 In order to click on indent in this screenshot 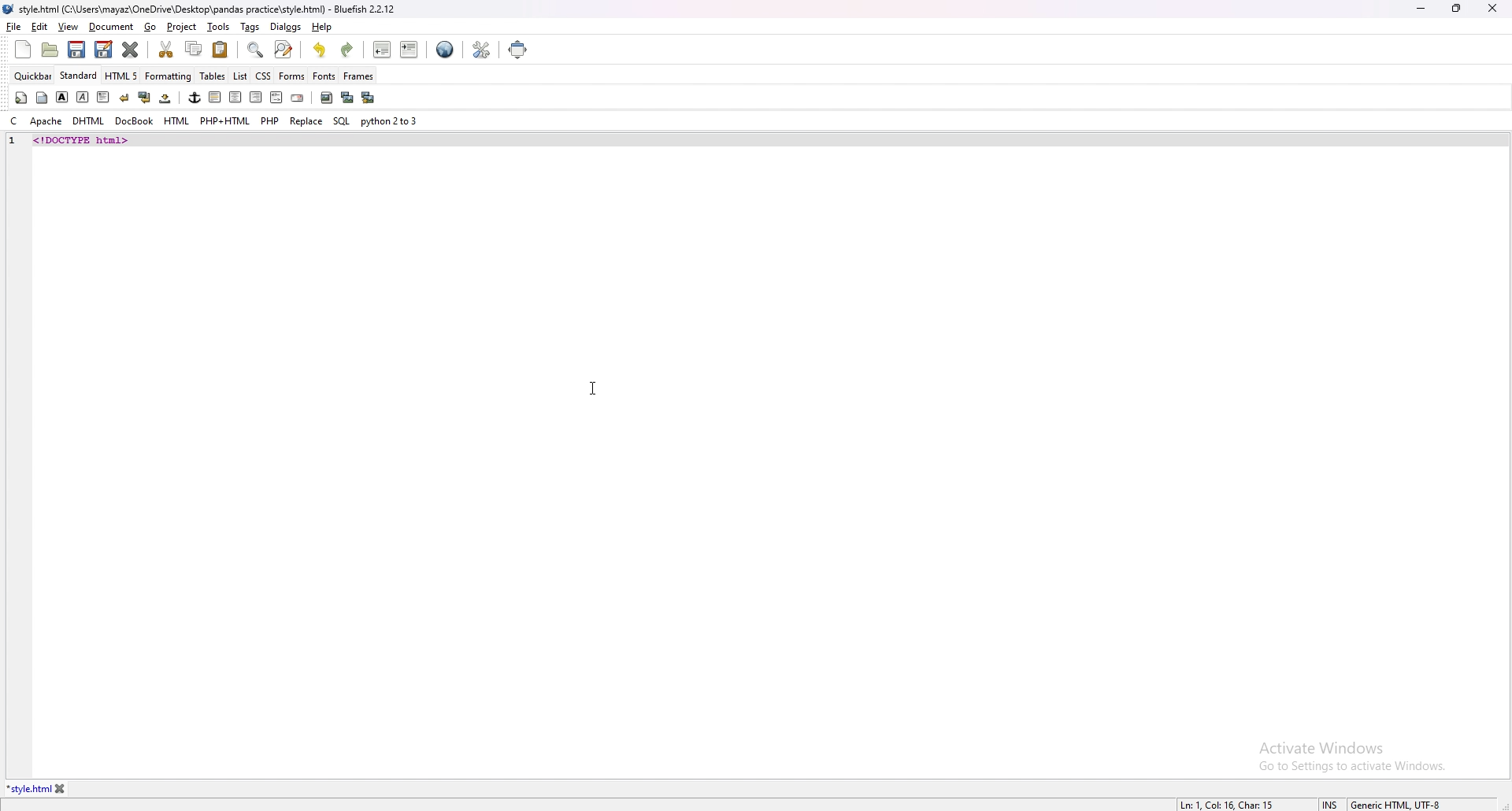, I will do `click(409, 49)`.